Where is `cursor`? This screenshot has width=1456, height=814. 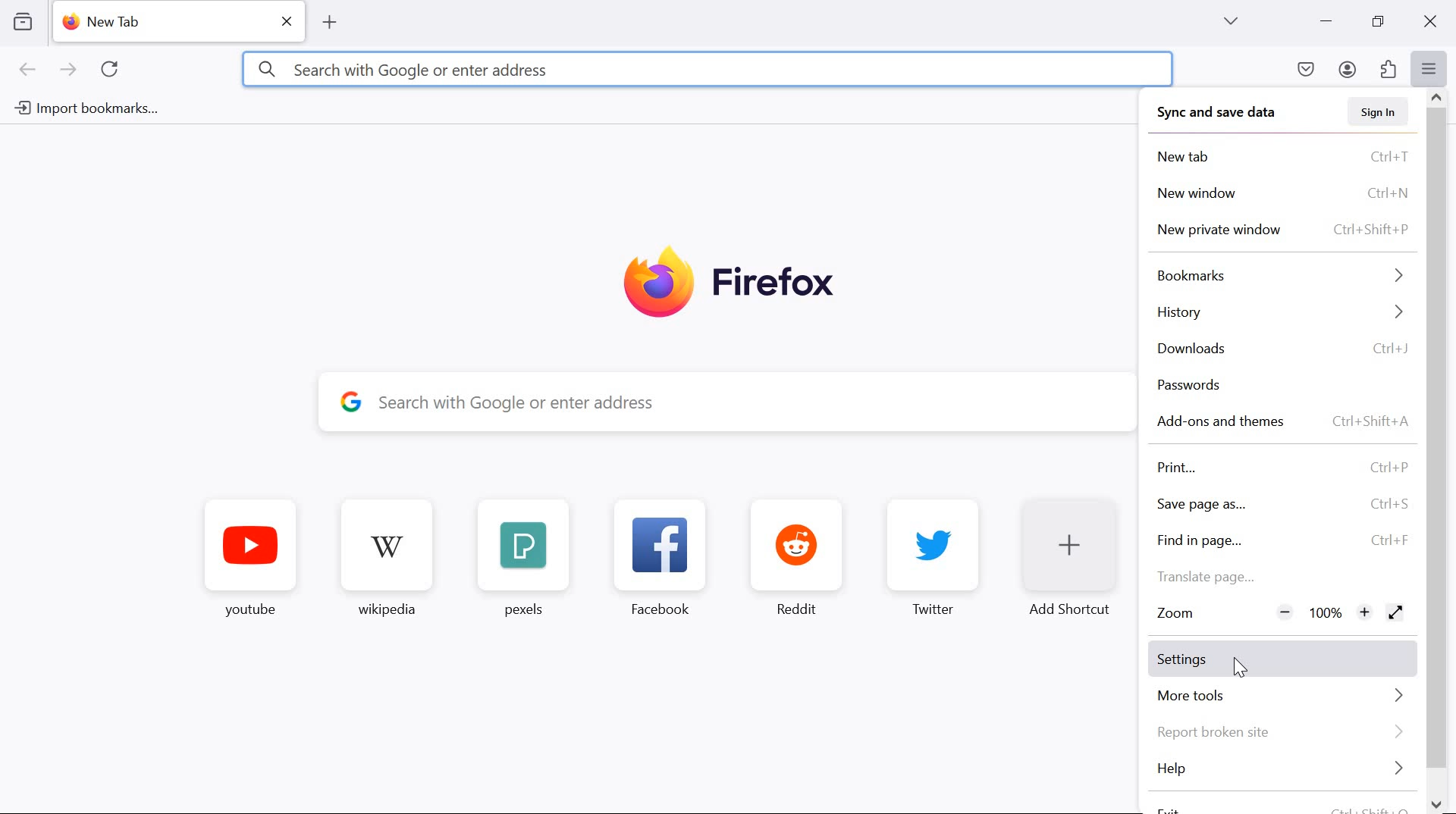
cursor is located at coordinates (1241, 668).